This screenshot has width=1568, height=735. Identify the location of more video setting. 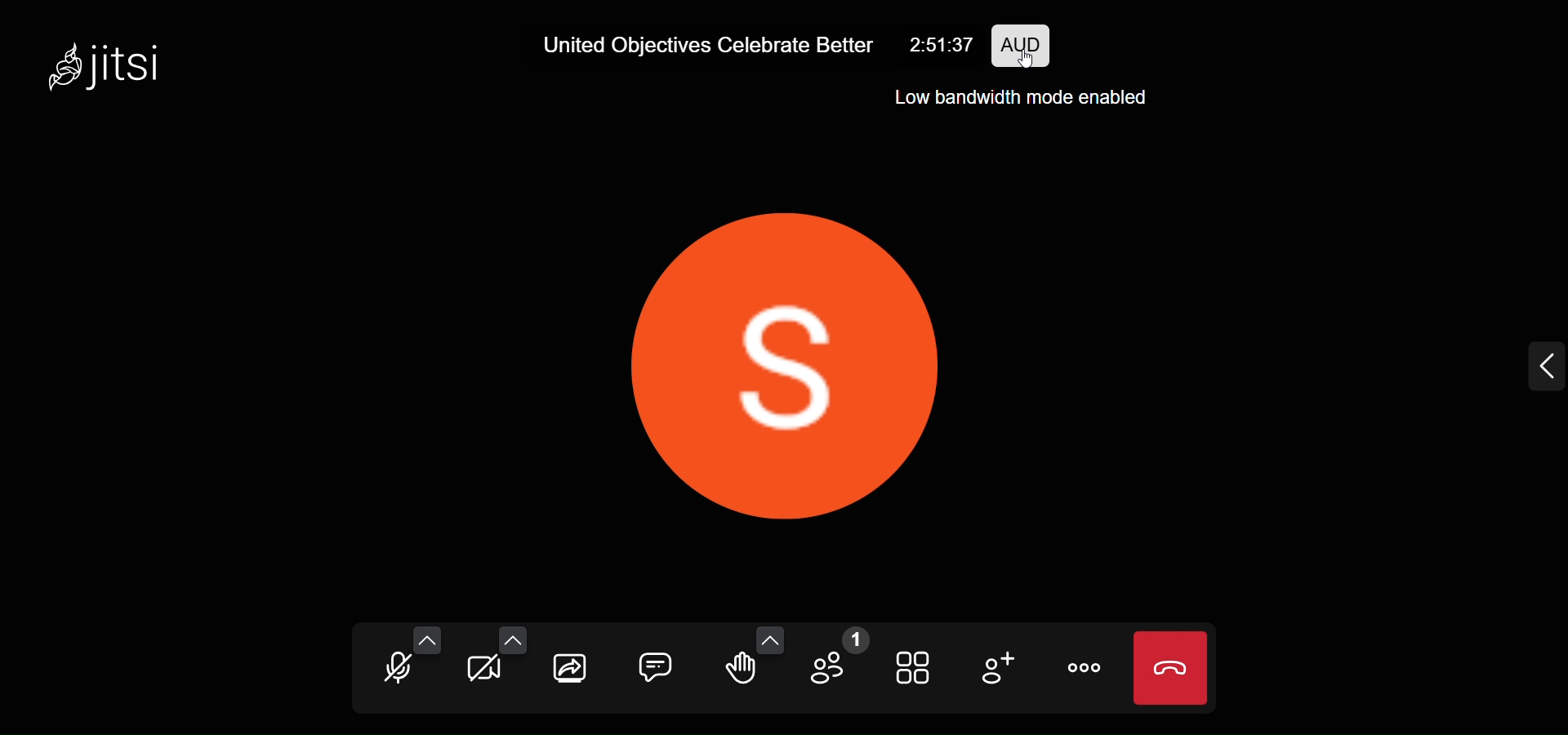
(516, 640).